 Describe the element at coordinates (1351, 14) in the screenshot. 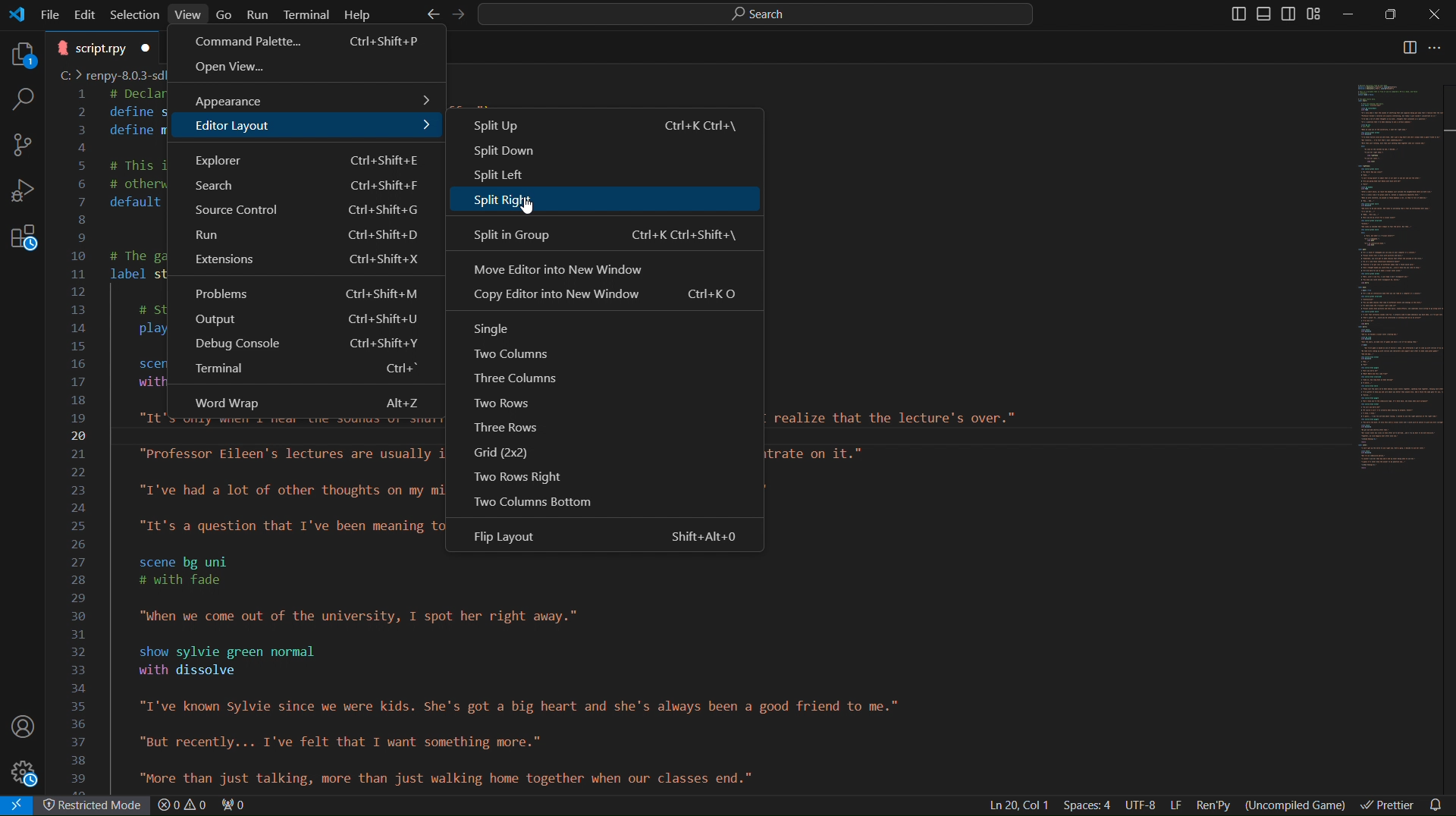

I see `Minimize` at that location.